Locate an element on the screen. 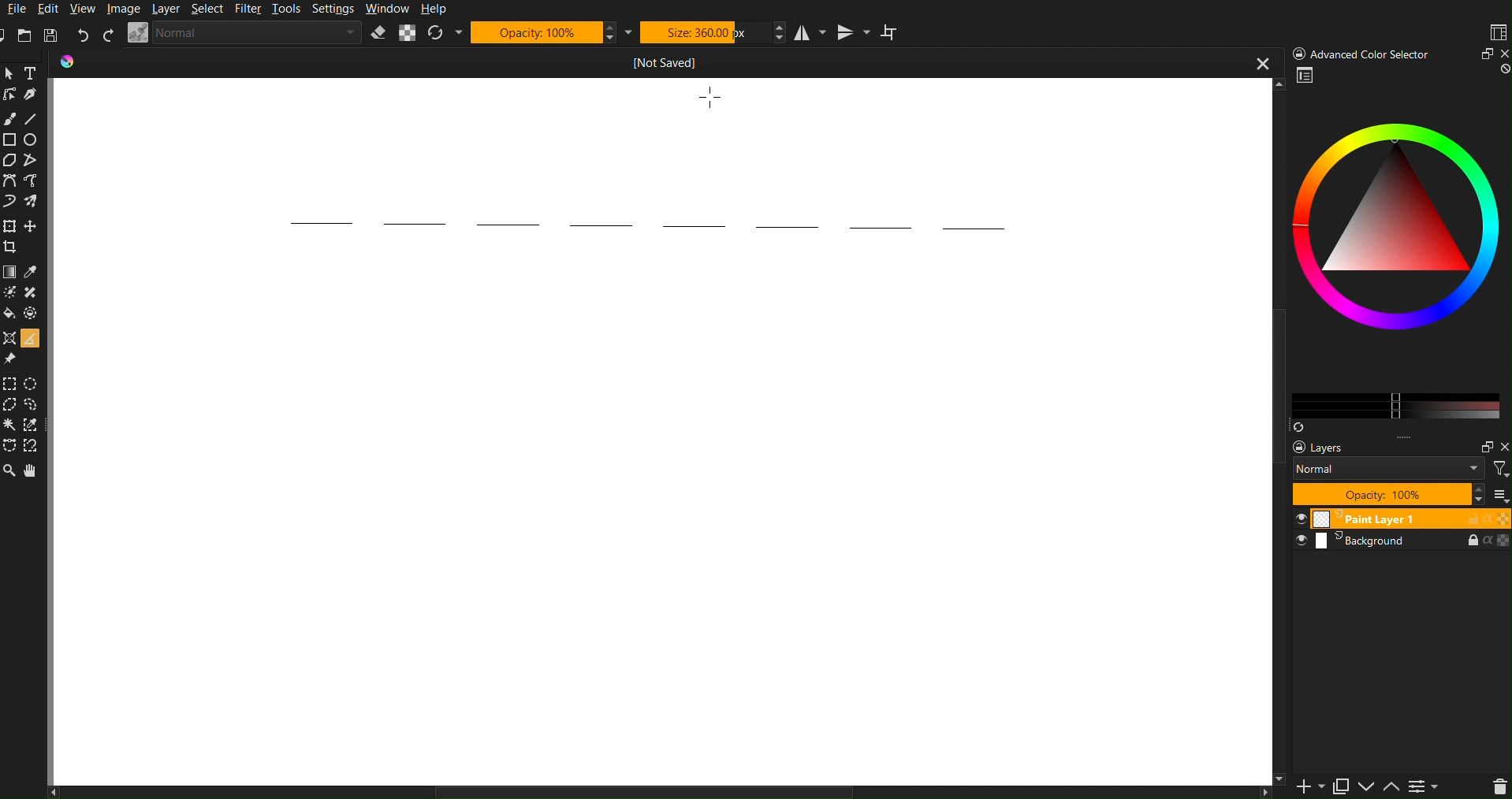 This screenshot has height=799, width=1512. Pin Tool is located at coordinates (11, 358).